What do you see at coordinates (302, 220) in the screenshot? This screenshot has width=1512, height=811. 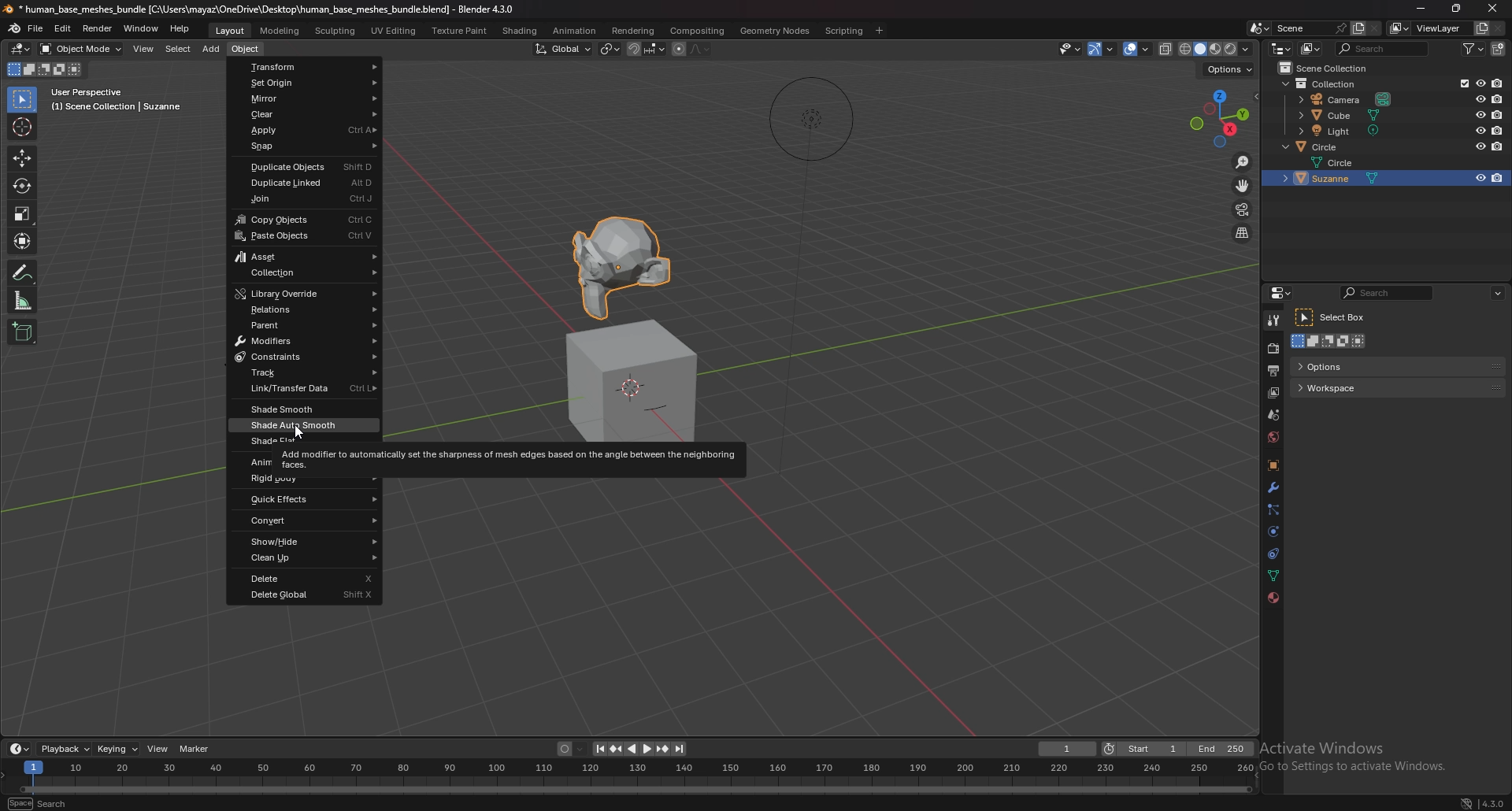 I see `copy objects` at bounding box center [302, 220].